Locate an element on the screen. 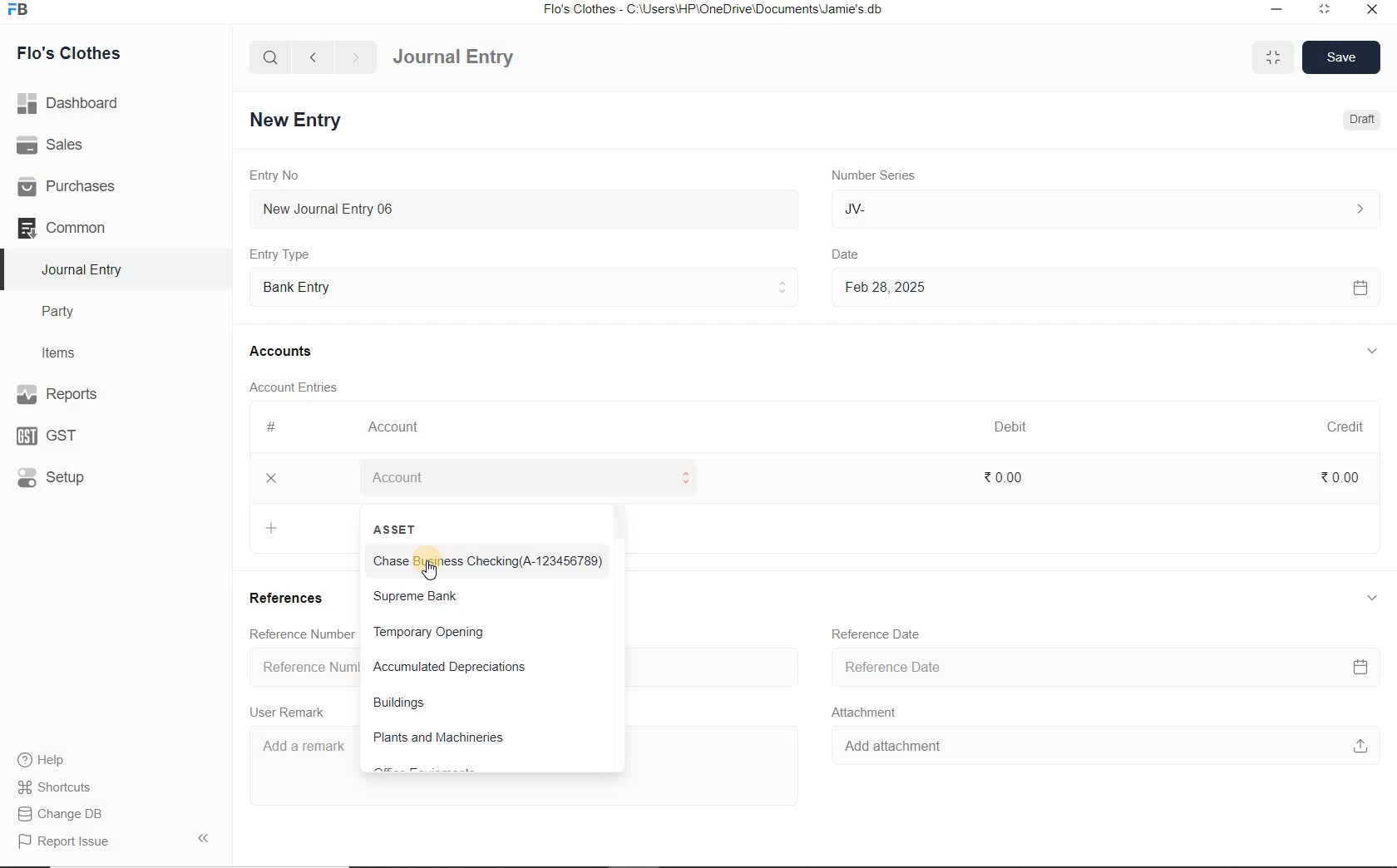 The width and height of the screenshot is (1397, 868). References is located at coordinates (292, 600).